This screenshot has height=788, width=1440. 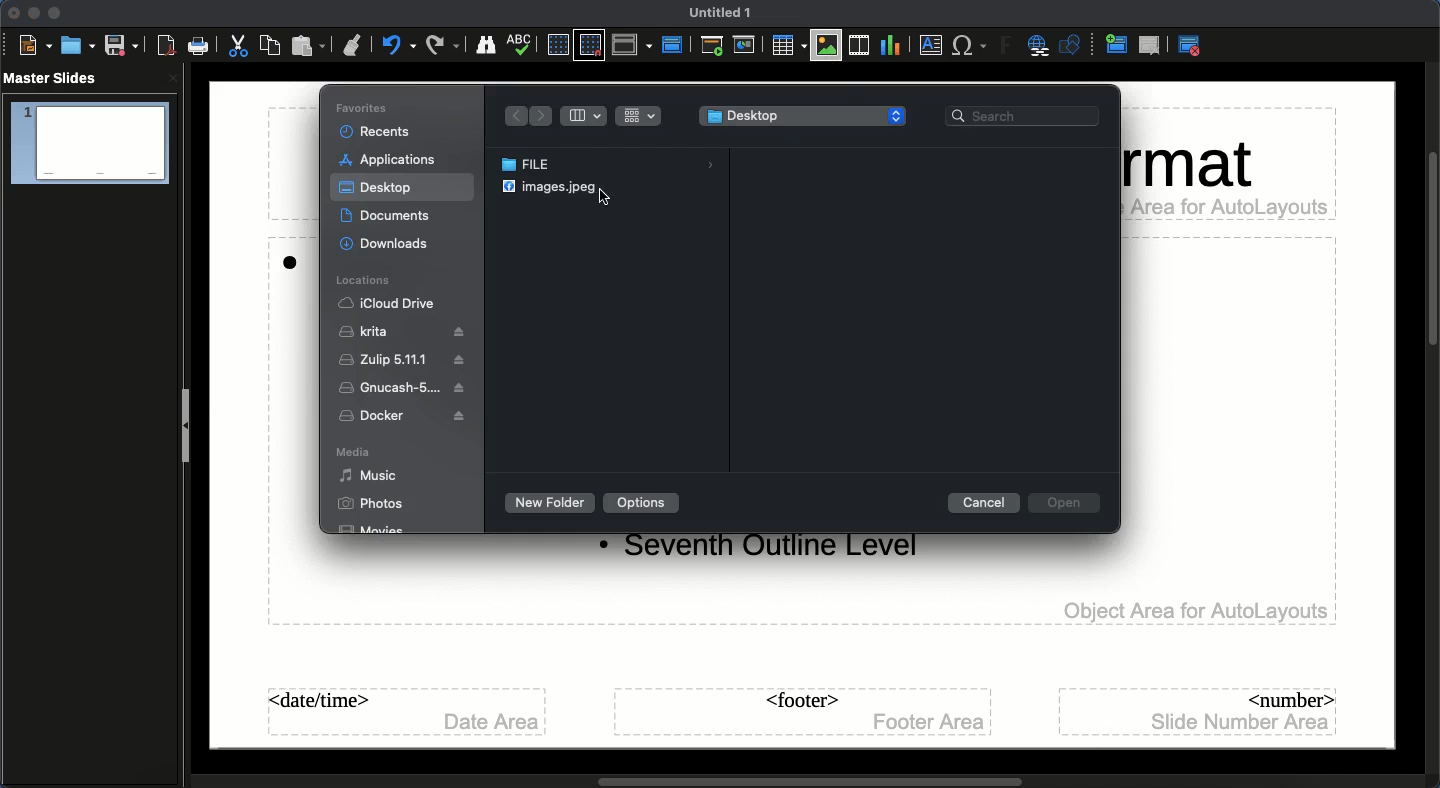 What do you see at coordinates (238, 46) in the screenshot?
I see `Cut` at bounding box center [238, 46].